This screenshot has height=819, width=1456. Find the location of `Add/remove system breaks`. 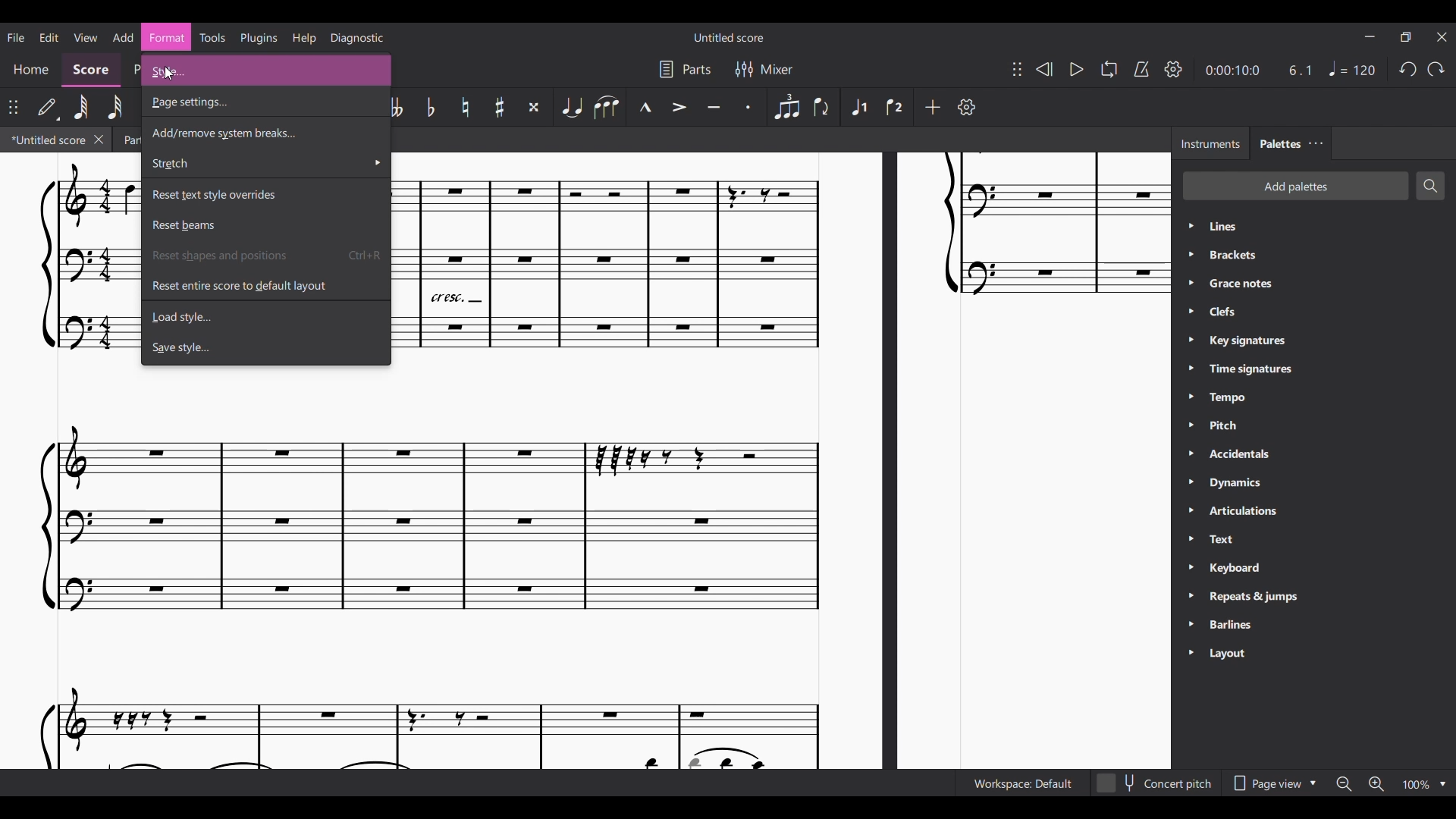

Add/remove system breaks is located at coordinates (265, 131).